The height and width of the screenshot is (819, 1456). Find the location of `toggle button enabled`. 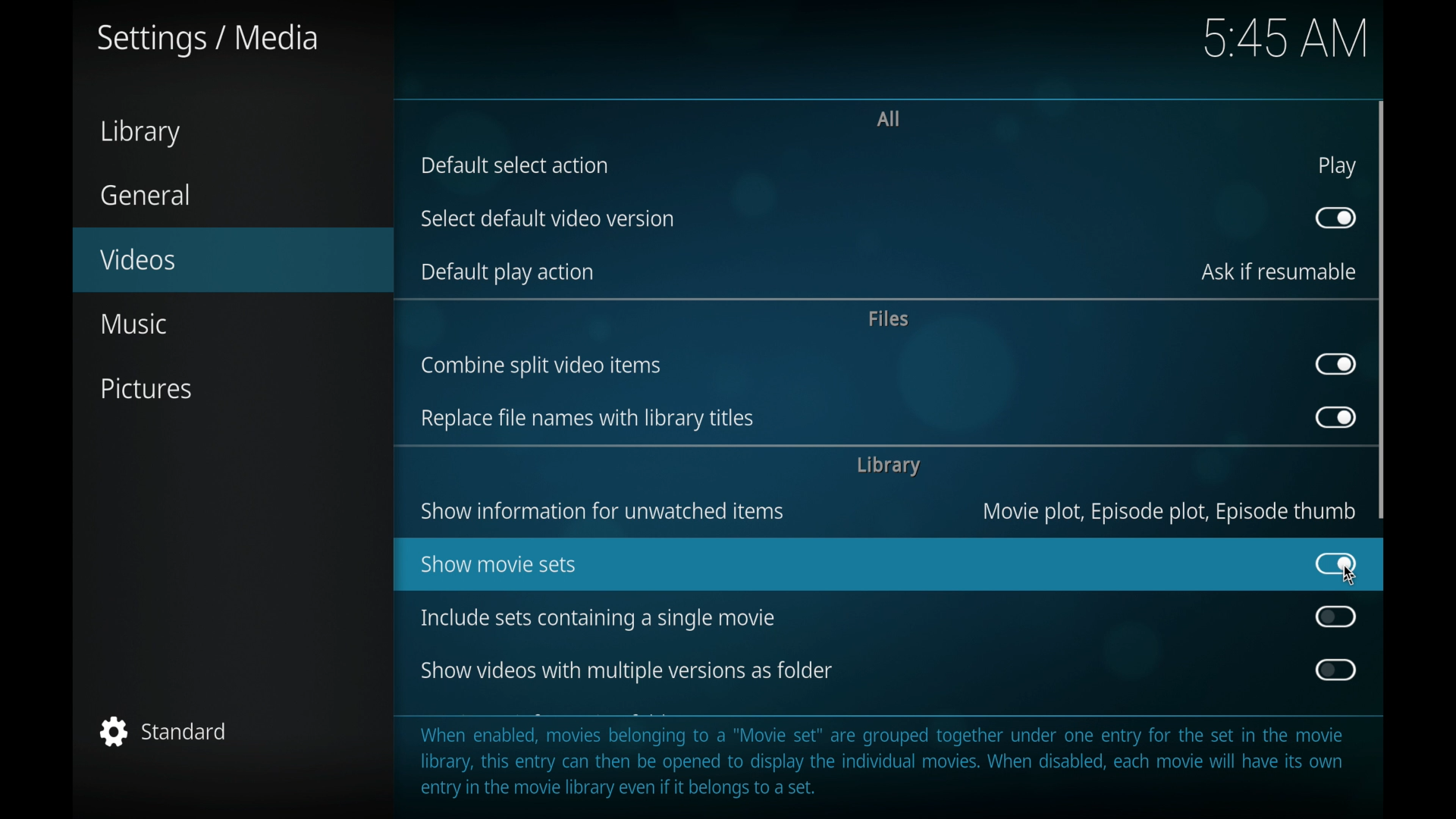

toggle button enabled is located at coordinates (1336, 563).